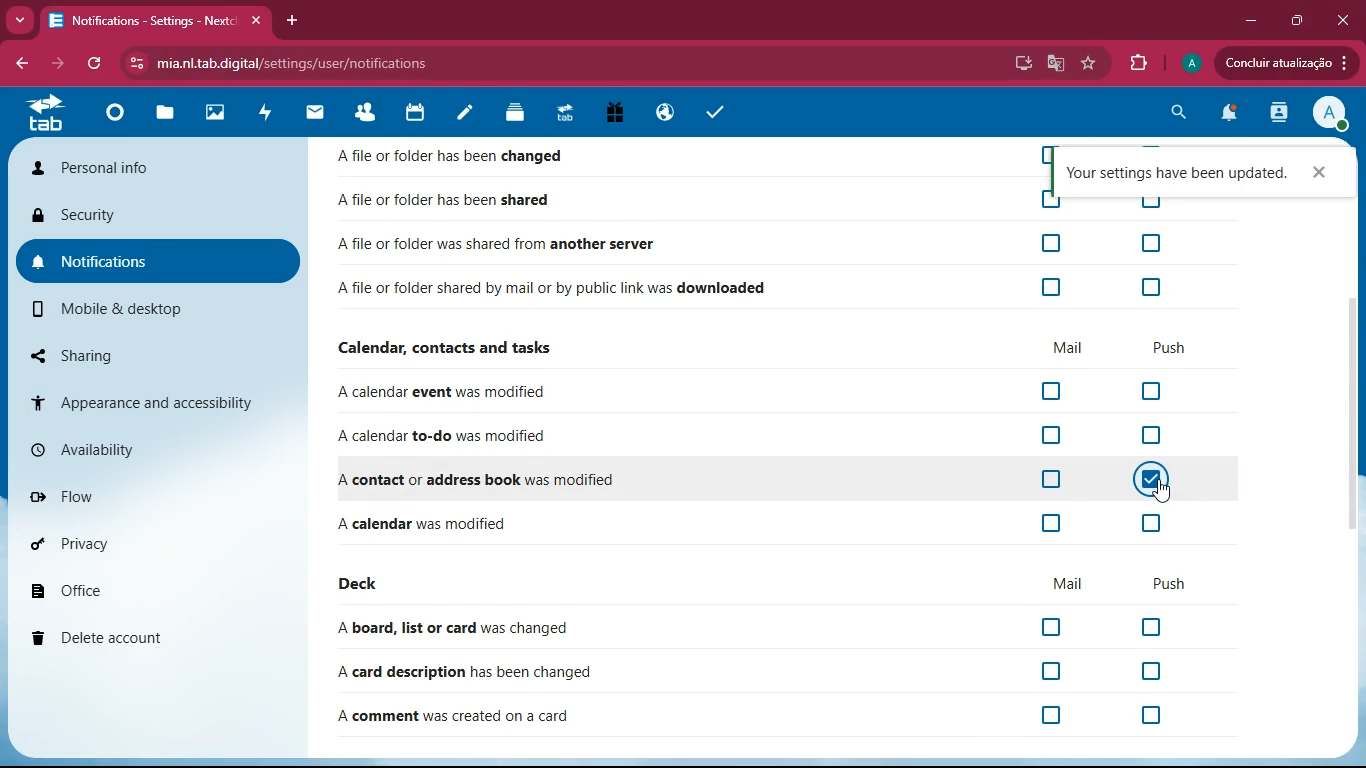 This screenshot has width=1366, height=768. What do you see at coordinates (143, 638) in the screenshot?
I see `delete account` at bounding box center [143, 638].